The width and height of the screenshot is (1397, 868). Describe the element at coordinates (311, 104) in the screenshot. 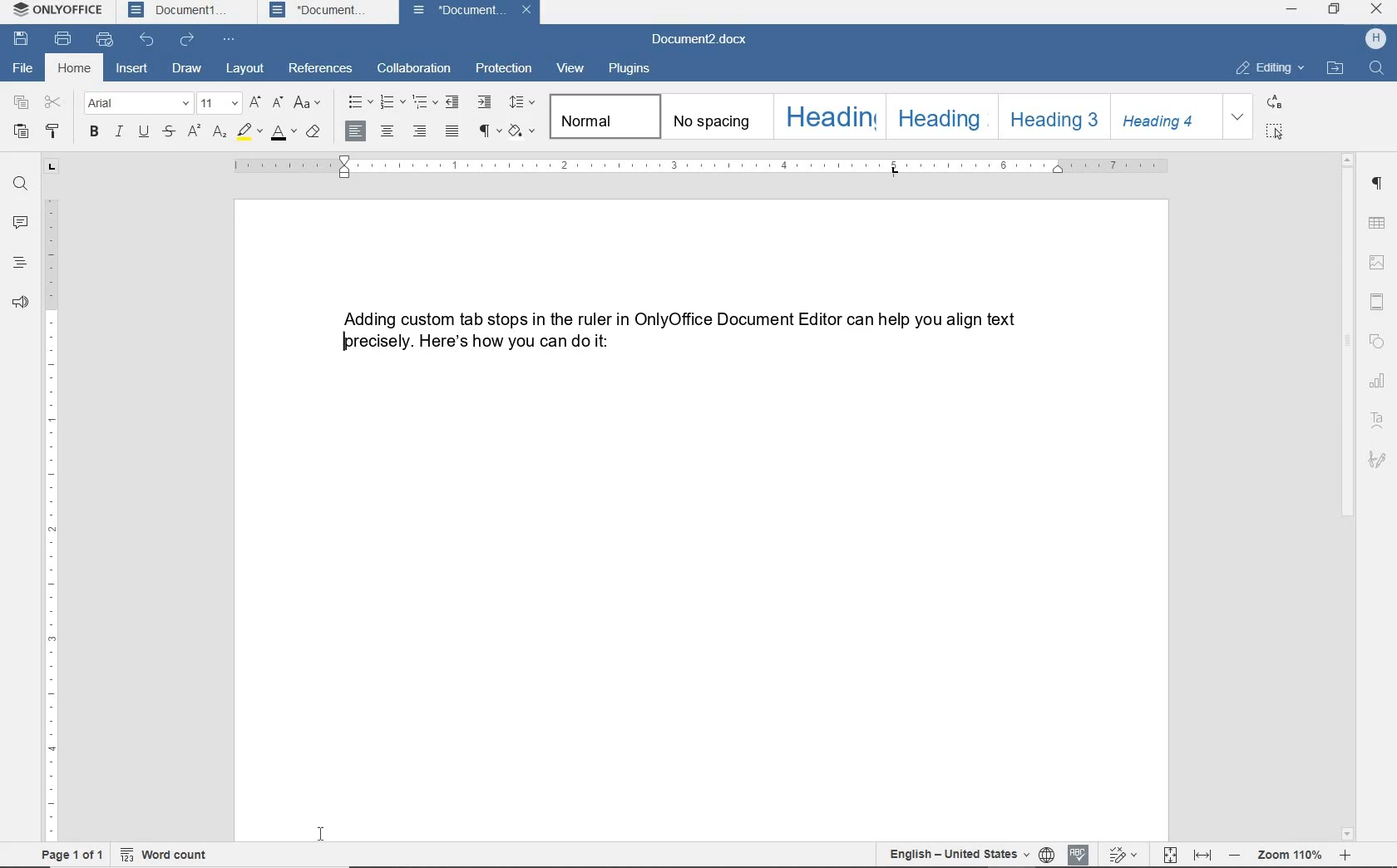

I see `change case` at that location.